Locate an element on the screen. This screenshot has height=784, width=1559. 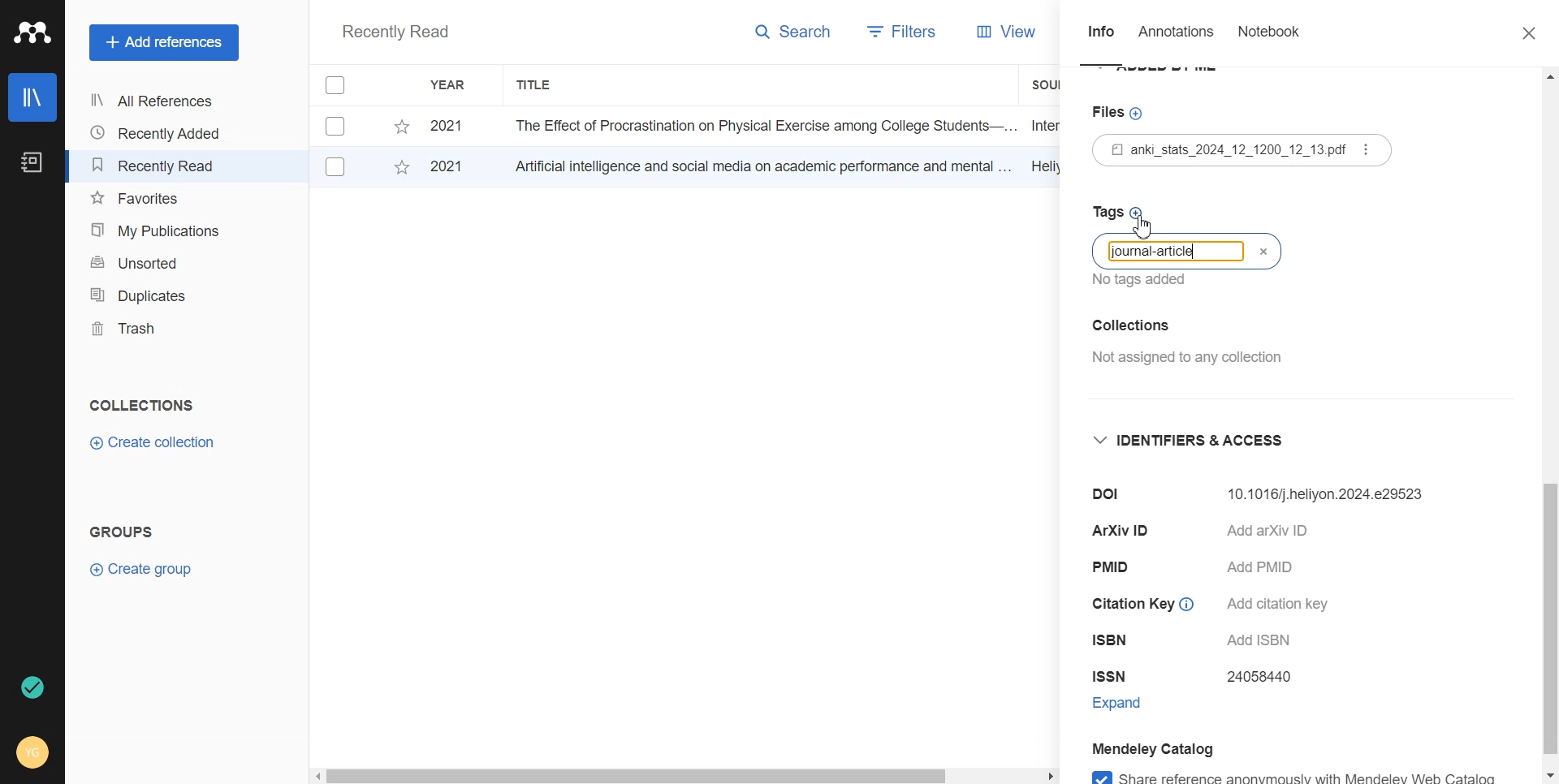
Filters is located at coordinates (896, 33).